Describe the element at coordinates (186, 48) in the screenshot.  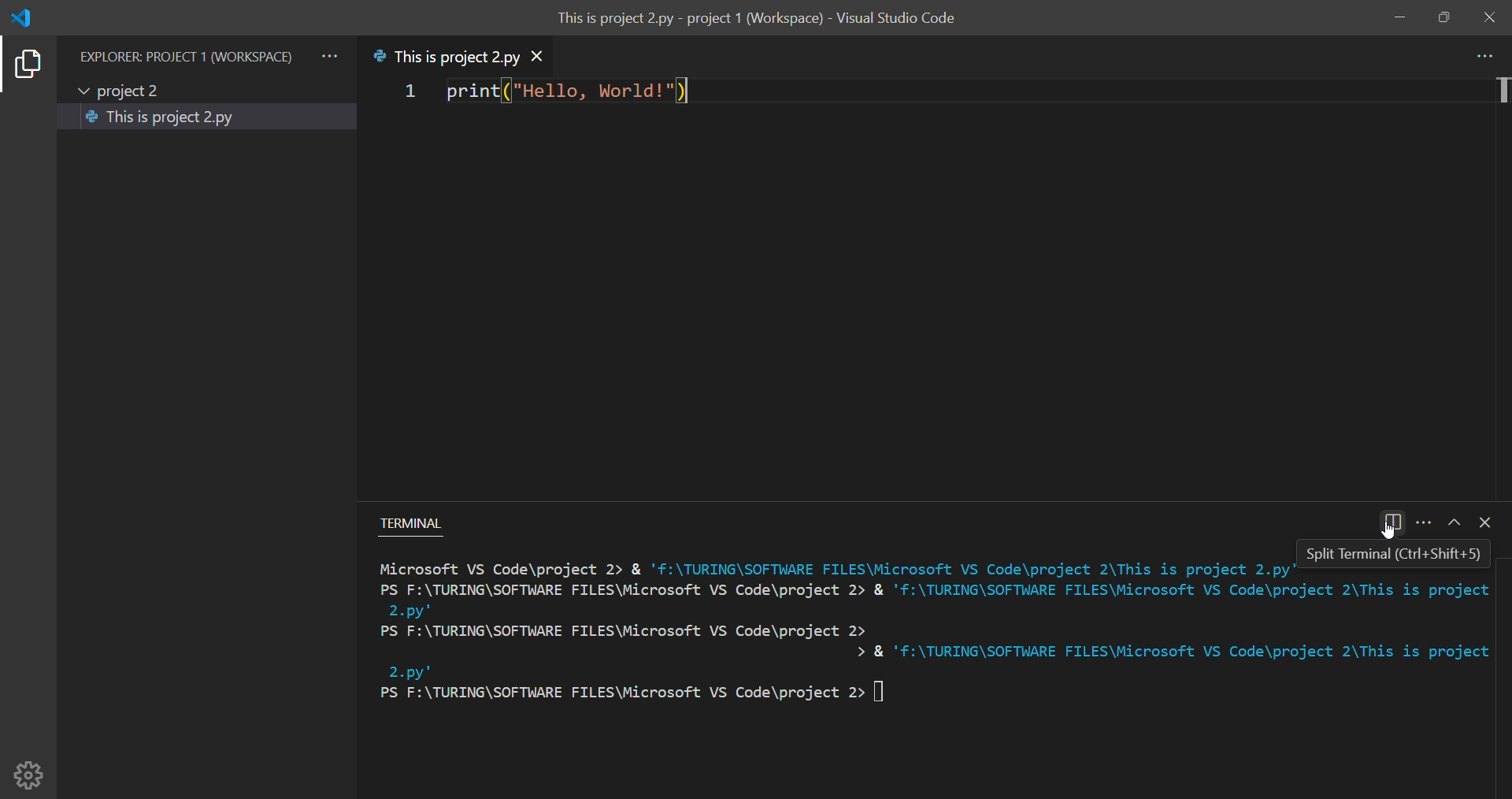
I see `EXPLORER: PROJECT 1 (WORKSPACE)` at that location.